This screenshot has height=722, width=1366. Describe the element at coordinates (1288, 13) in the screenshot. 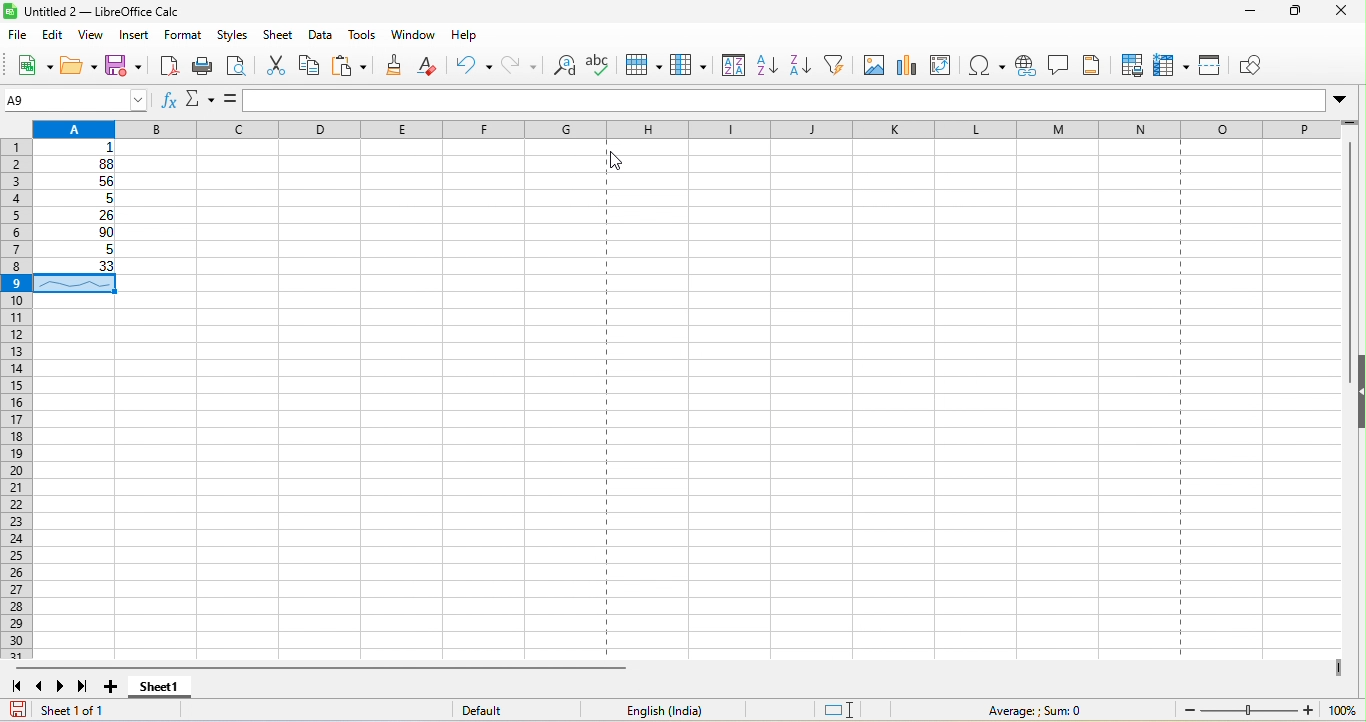

I see `maximize` at that location.